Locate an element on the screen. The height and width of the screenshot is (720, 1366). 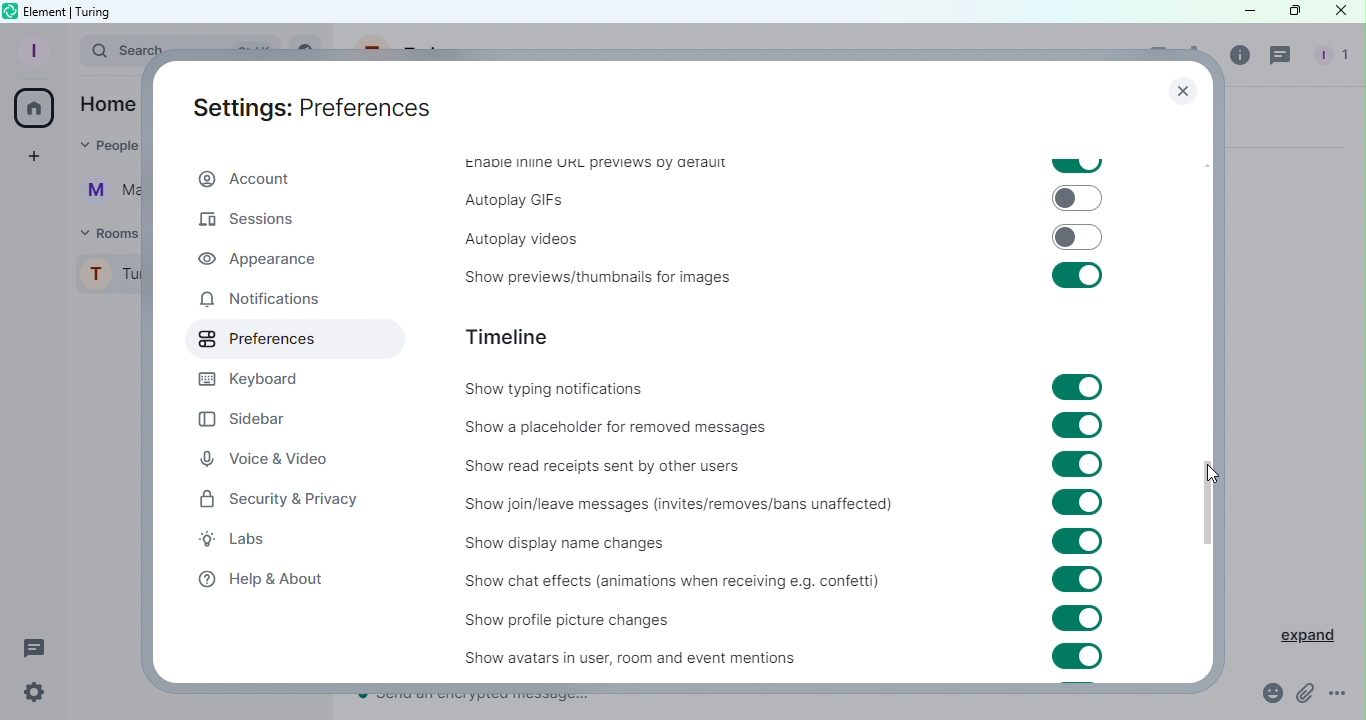
Toggle is located at coordinates (1077, 580).